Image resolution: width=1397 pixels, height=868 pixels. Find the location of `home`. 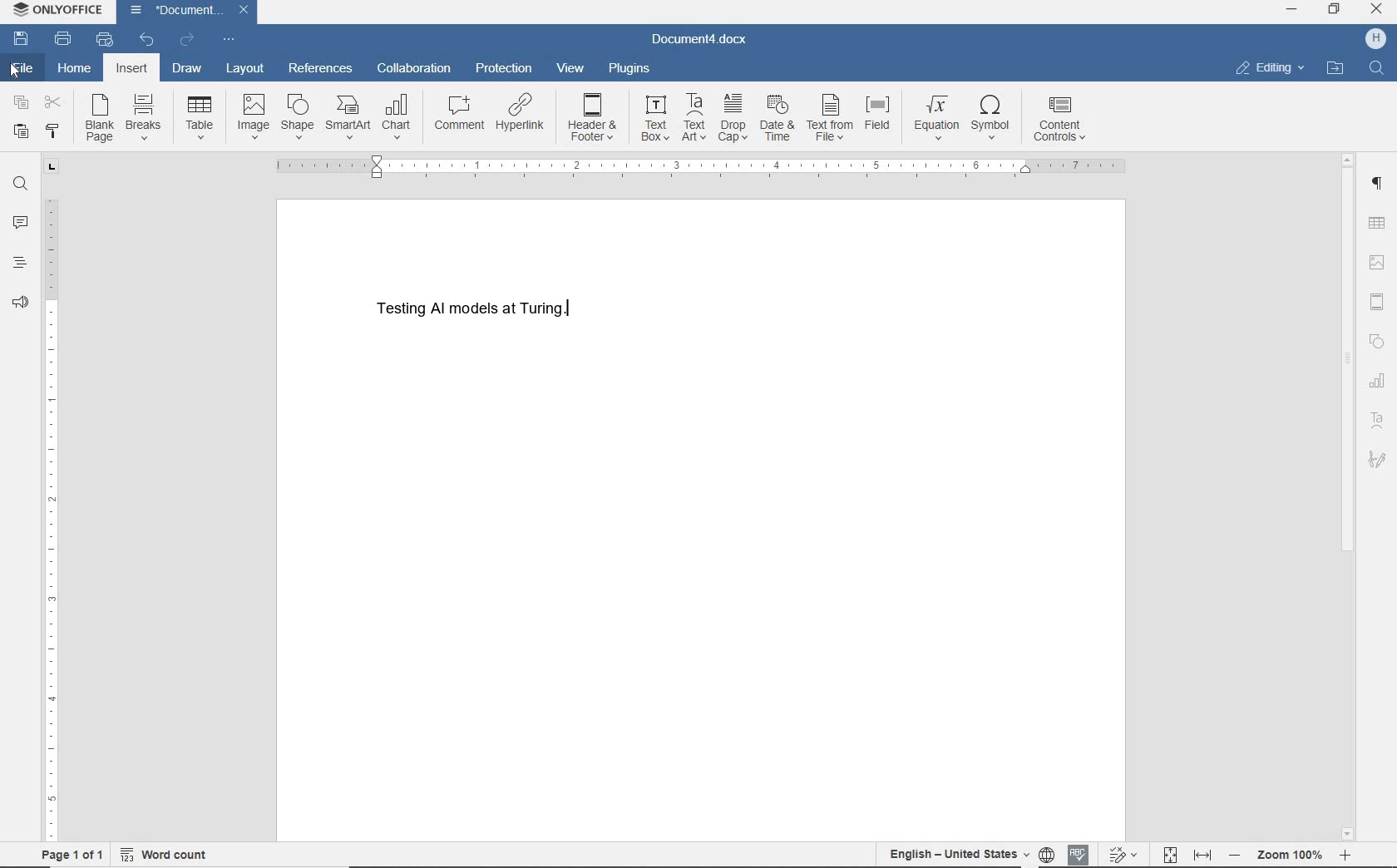

home is located at coordinates (76, 72).